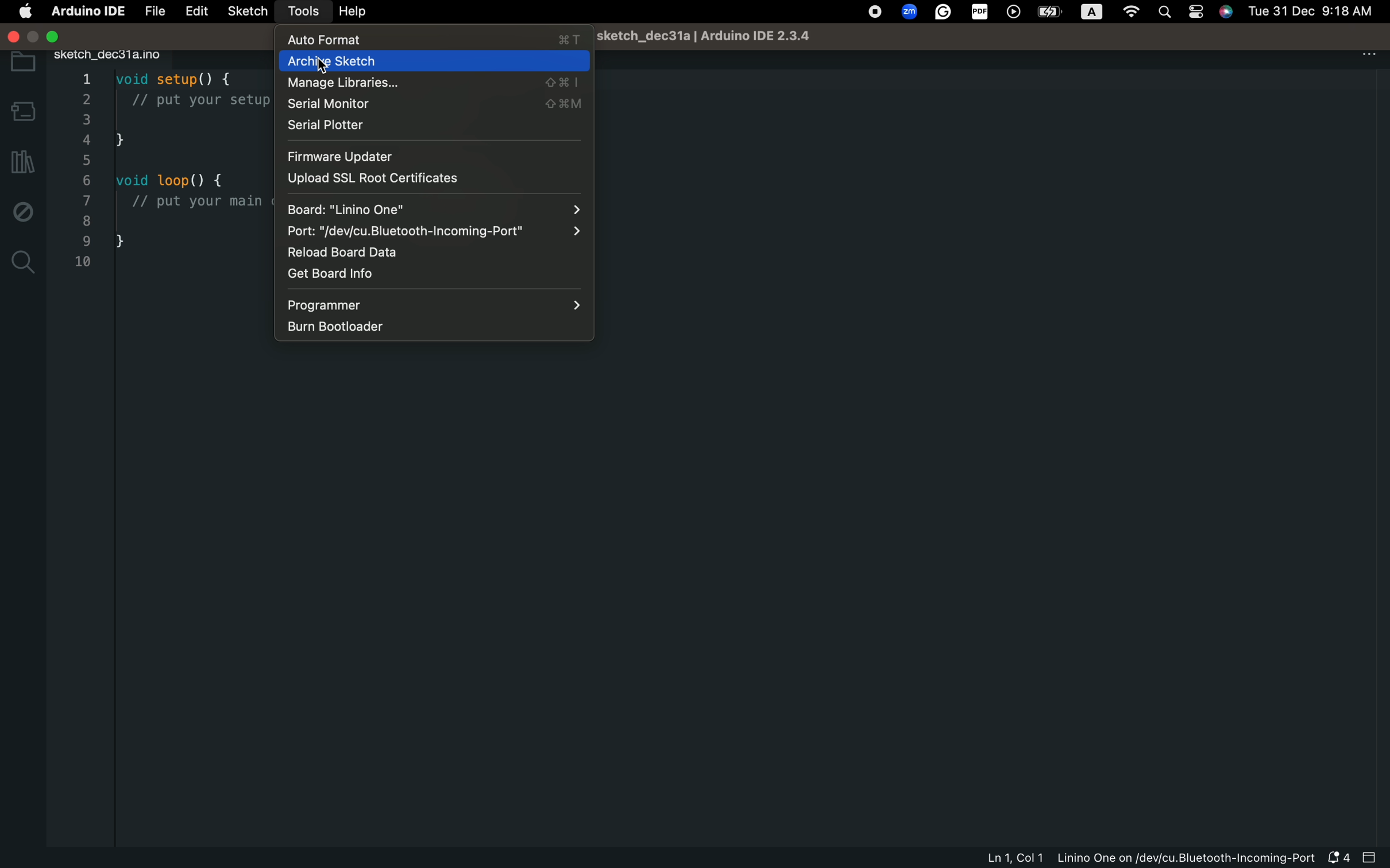 The width and height of the screenshot is (1390, 868). I want to click on burn bootloader, so click(368, 328).